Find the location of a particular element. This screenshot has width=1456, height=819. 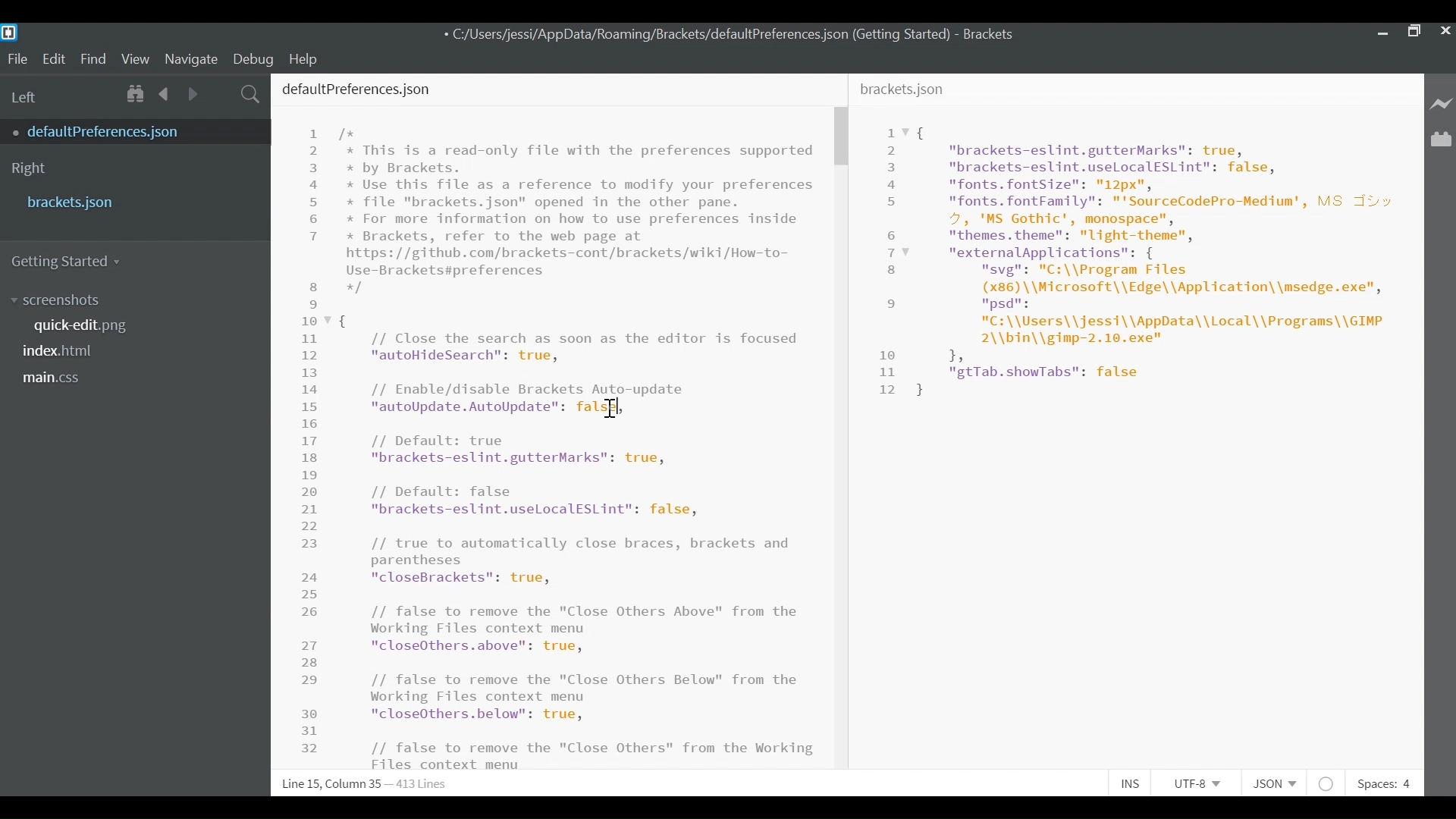

quickedit.png is located at coordinates (89, 325).